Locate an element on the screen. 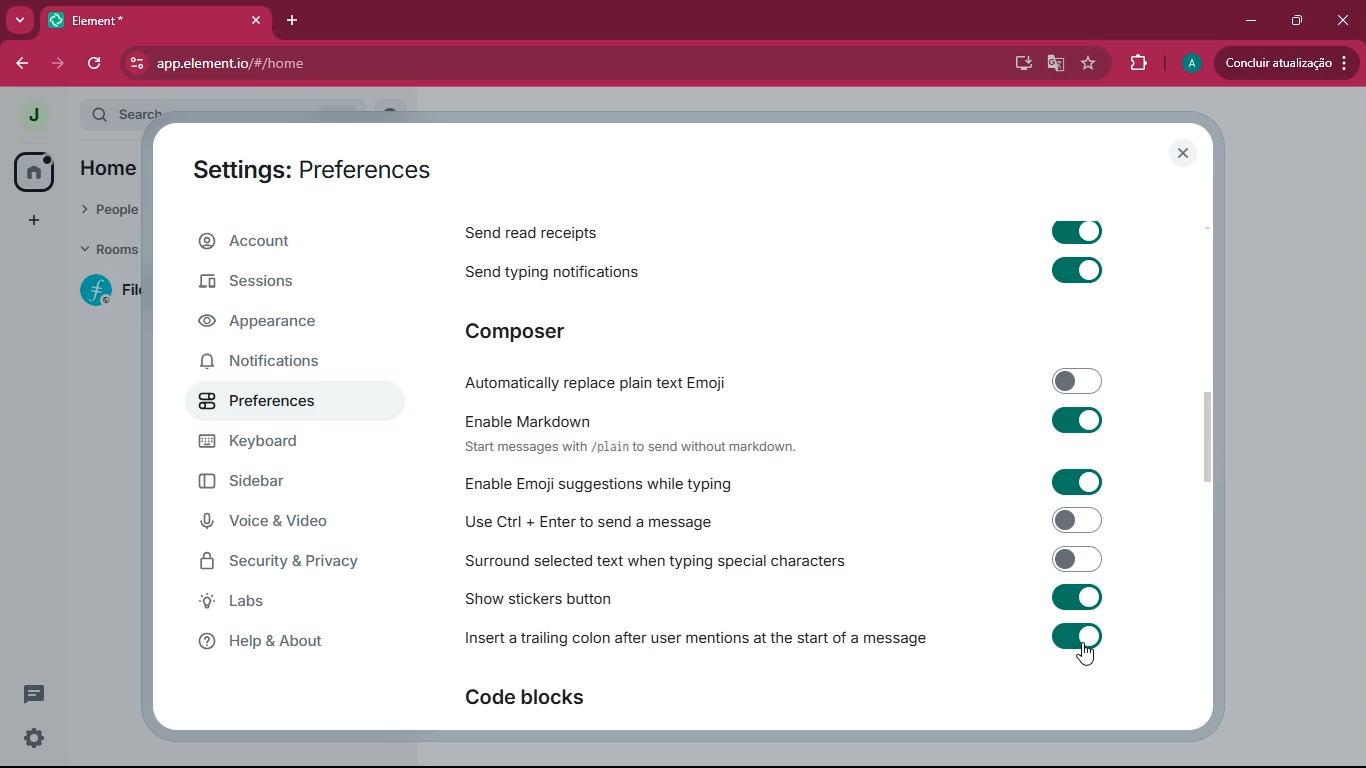 Image resolution: width=1366 pixels, height=768 pixels. close is located at coordinates (1185, 153).